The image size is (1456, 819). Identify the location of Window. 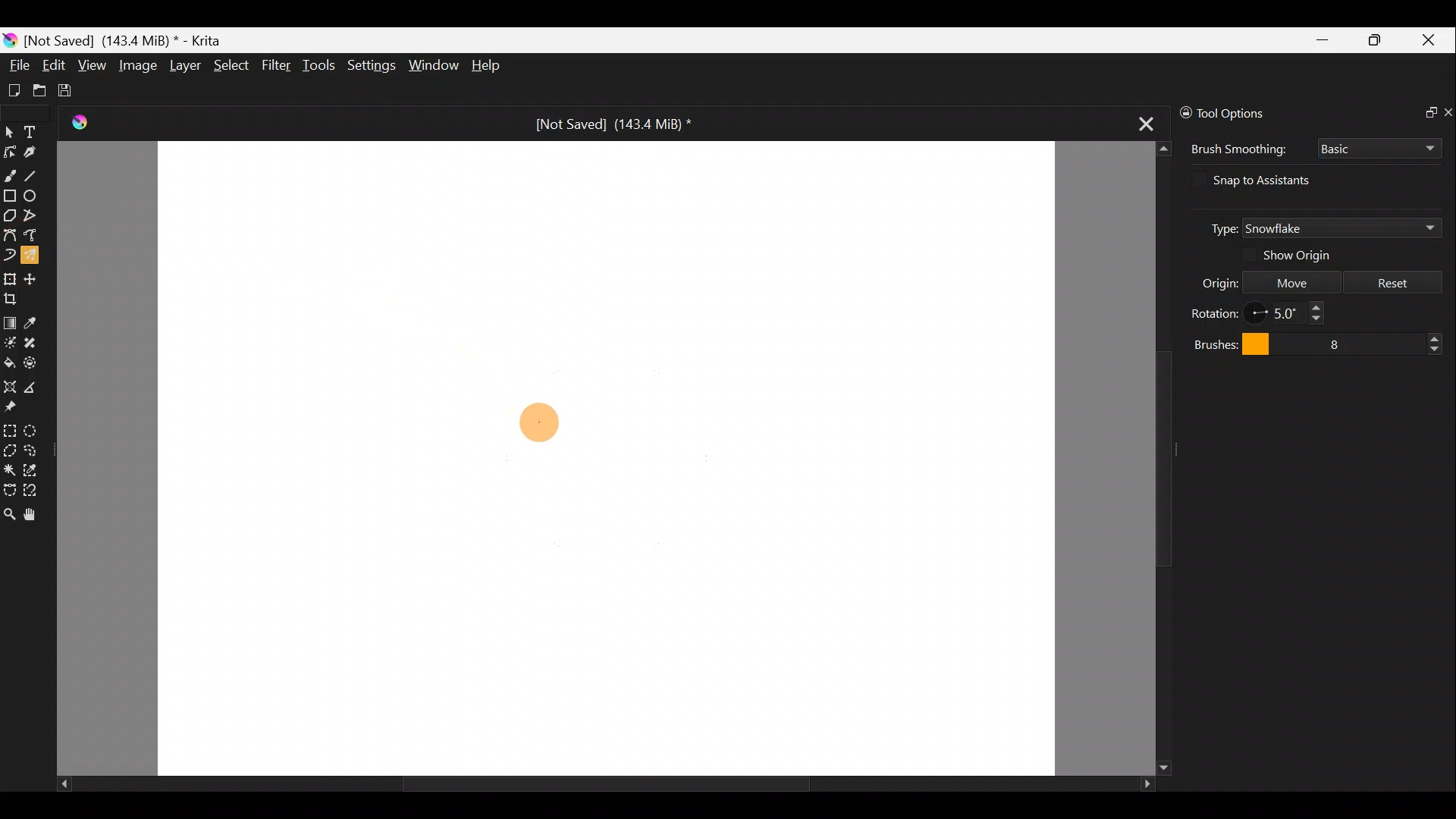
(432, 66).